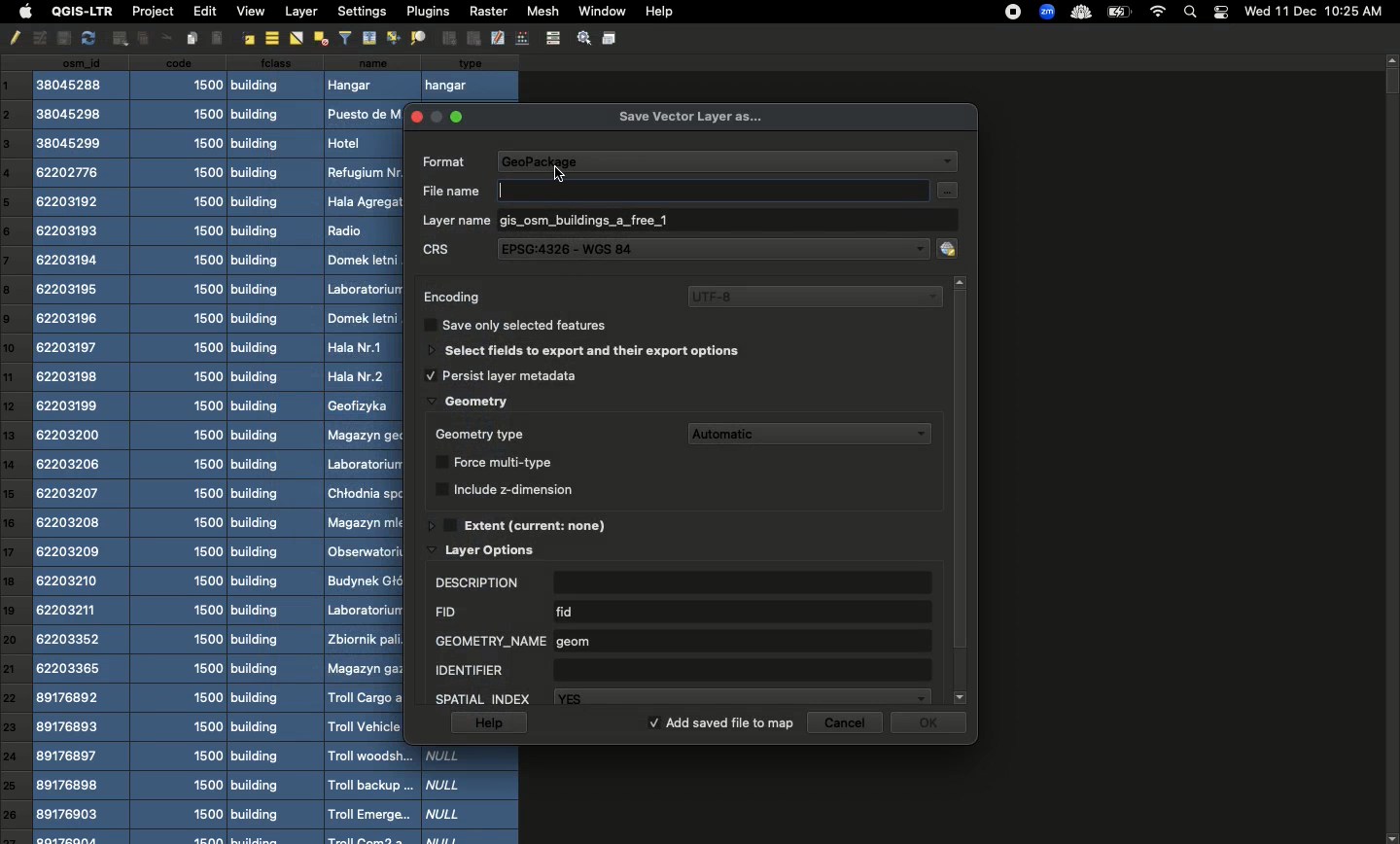 This screenshot has width=1400, height=844. What do you see at coordinates (38, 39) in the screenshot?
I see `Undo` at bounding box center [38, 39].